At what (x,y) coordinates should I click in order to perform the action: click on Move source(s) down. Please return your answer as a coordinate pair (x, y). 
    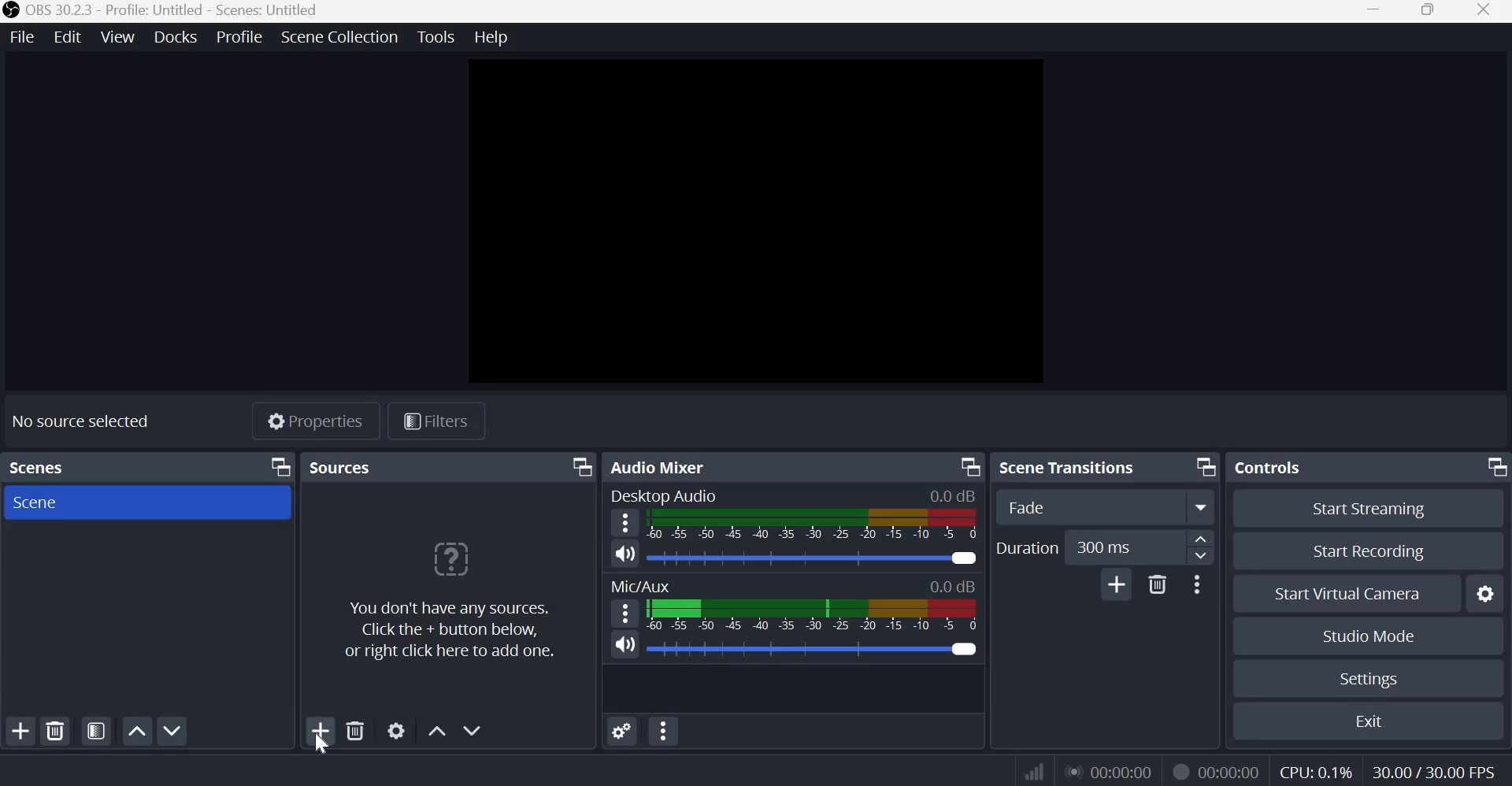
    Looking at the image, I should click on (474, 730).